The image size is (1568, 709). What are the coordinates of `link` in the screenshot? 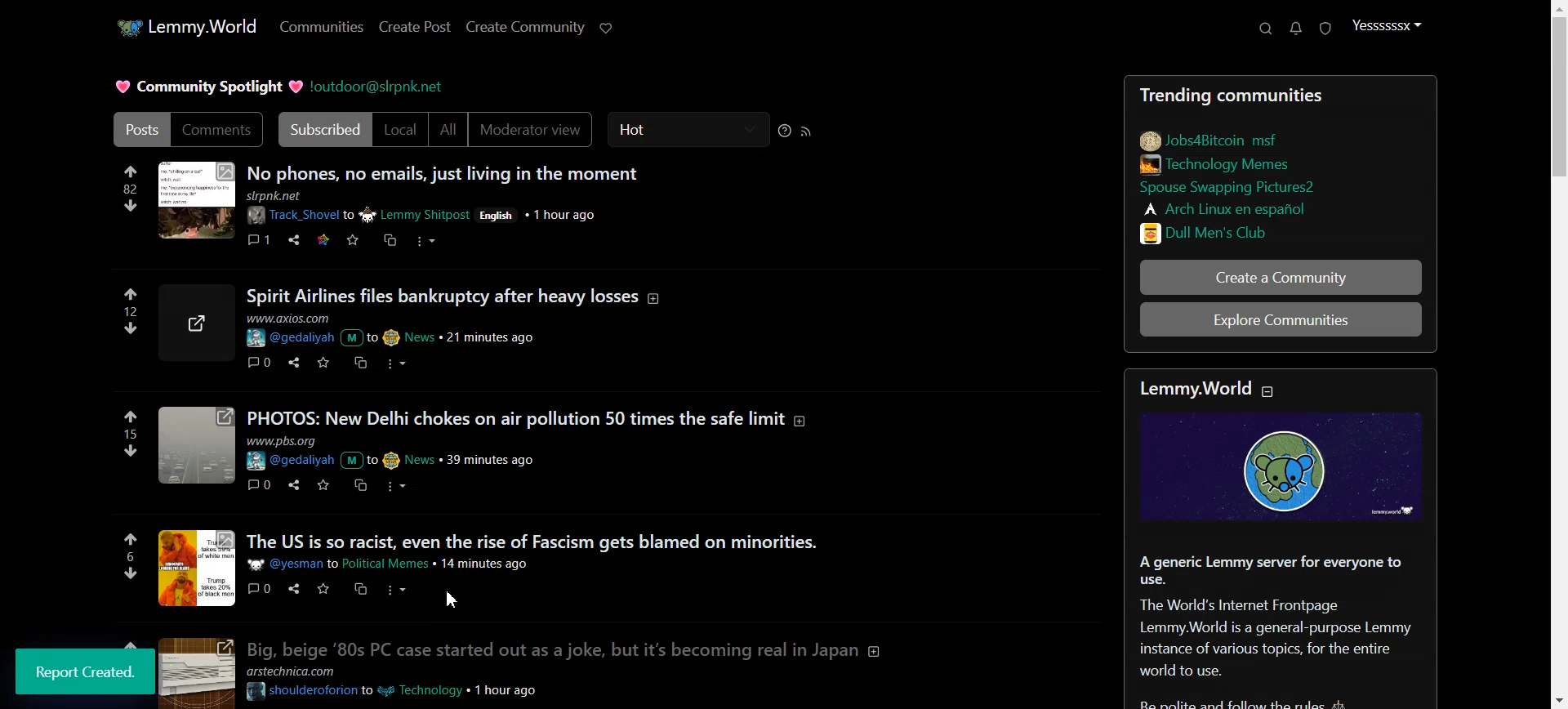 It's located at (1211, 138).